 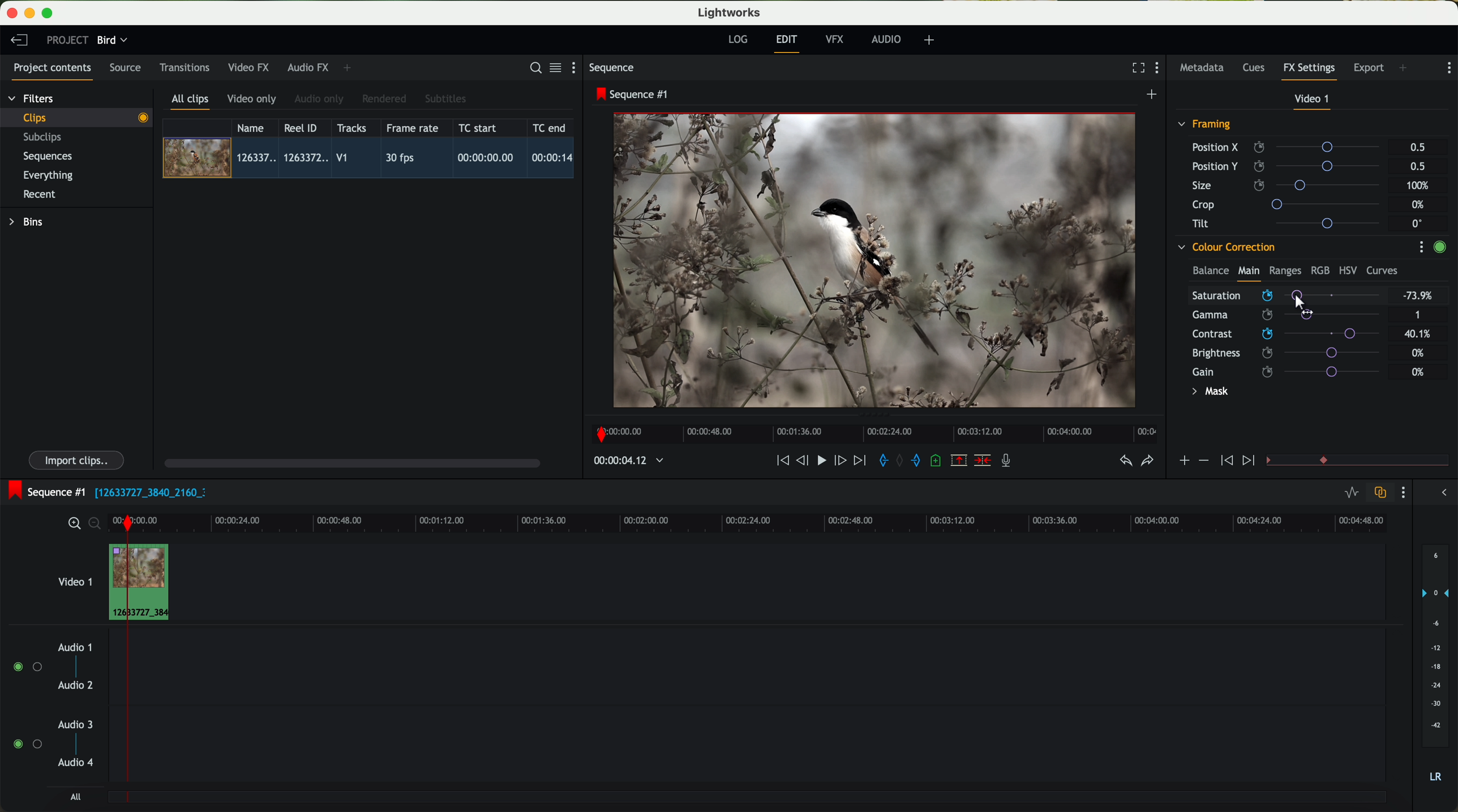 What do you see at coordinates (1293, 353) in the screenshot?
I see `brightness` at bounding box center [1293, 353].